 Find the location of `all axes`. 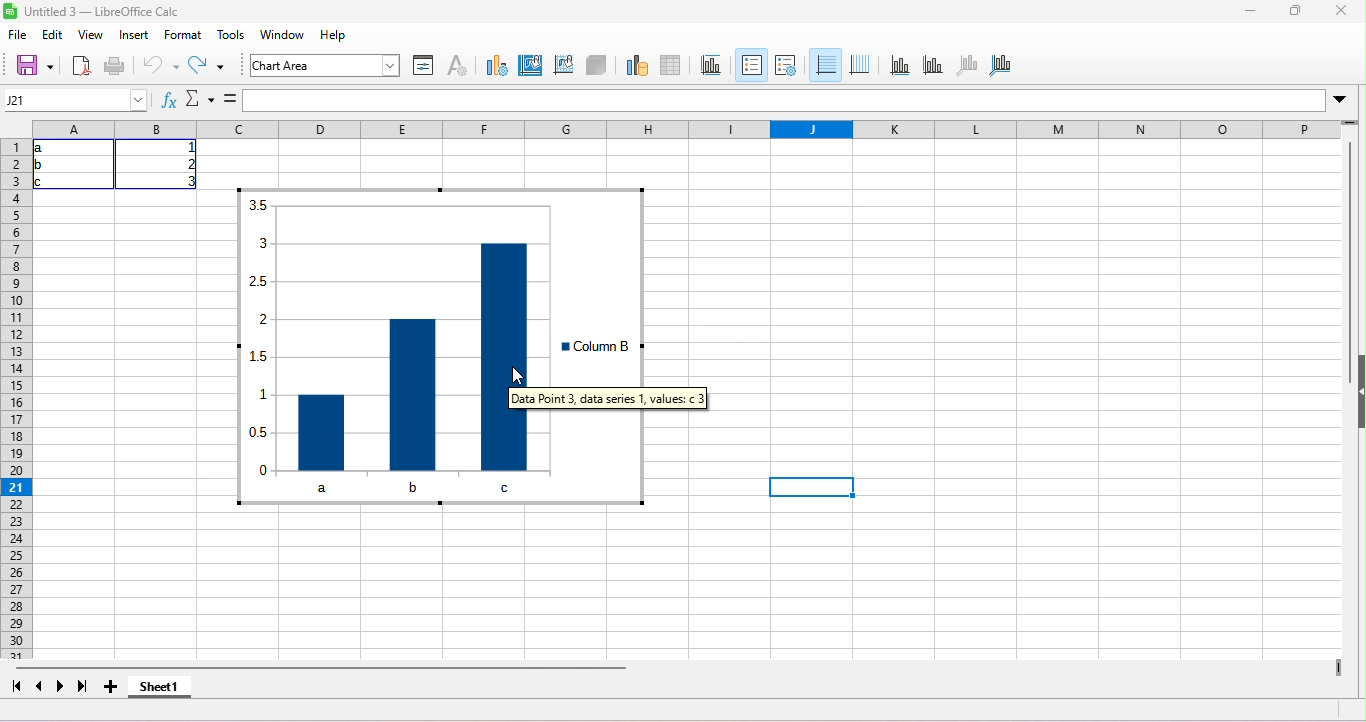

all axes is located at coordinates (1016, 67).